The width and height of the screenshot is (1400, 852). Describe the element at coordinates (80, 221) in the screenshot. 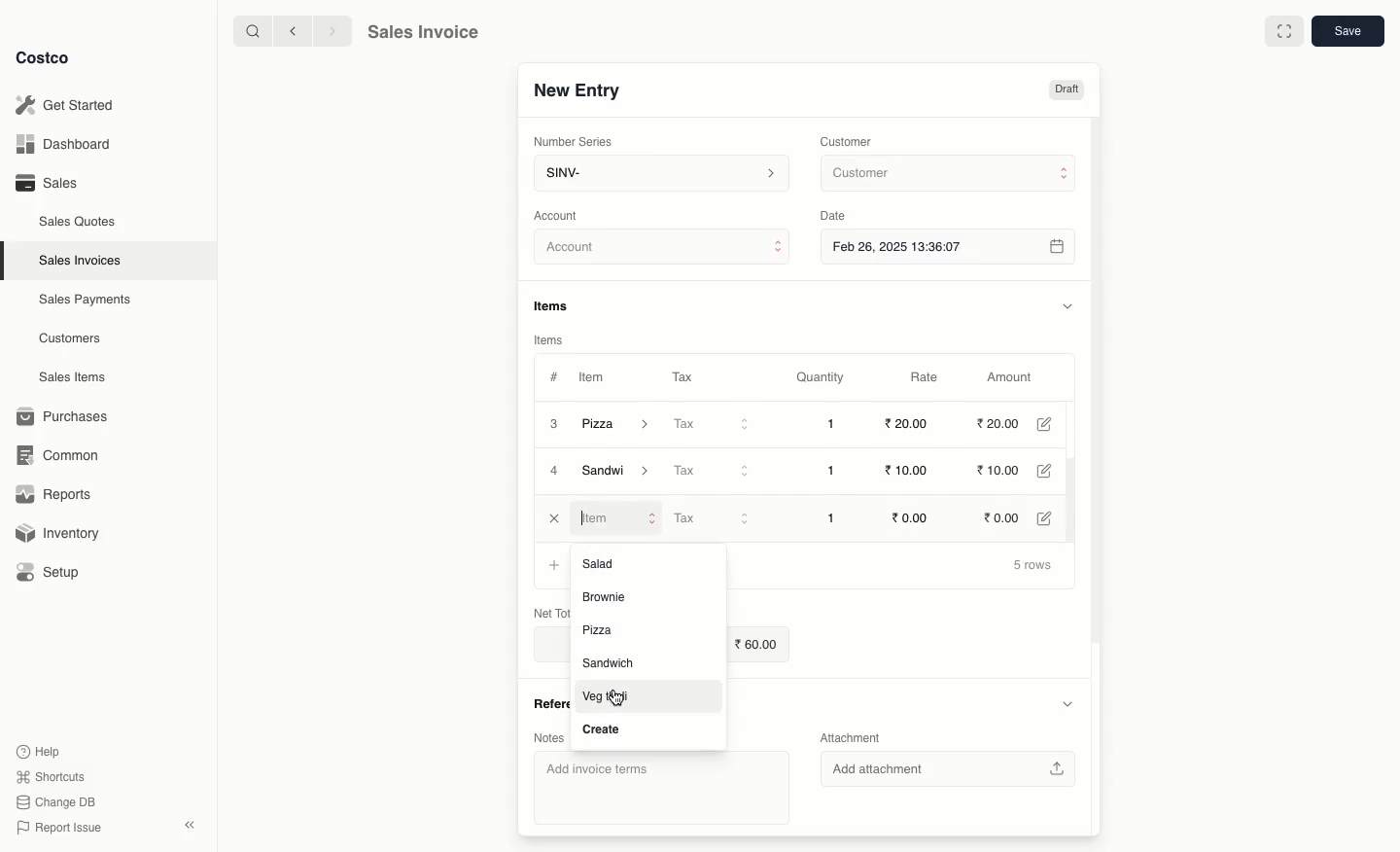

I see `Sales Quotes` at that location.